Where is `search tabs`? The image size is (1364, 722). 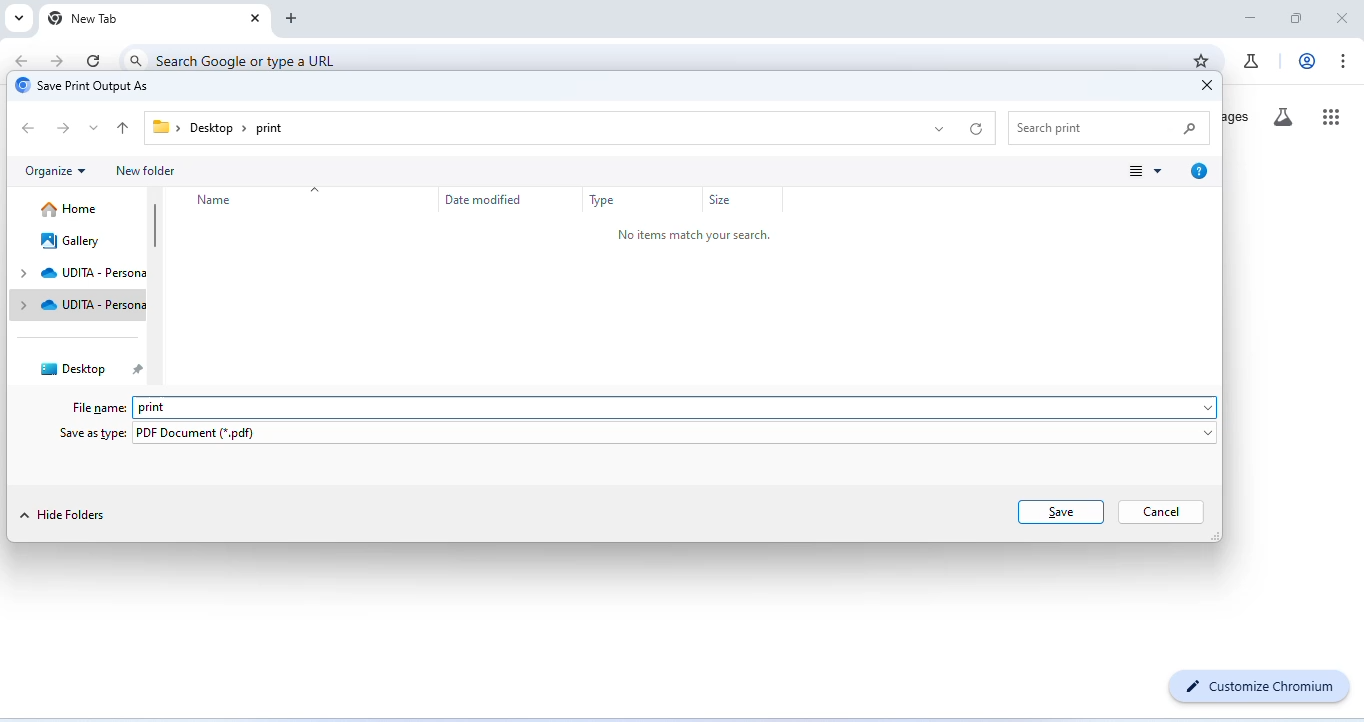
search tabs is located at coordinates (20, 18).